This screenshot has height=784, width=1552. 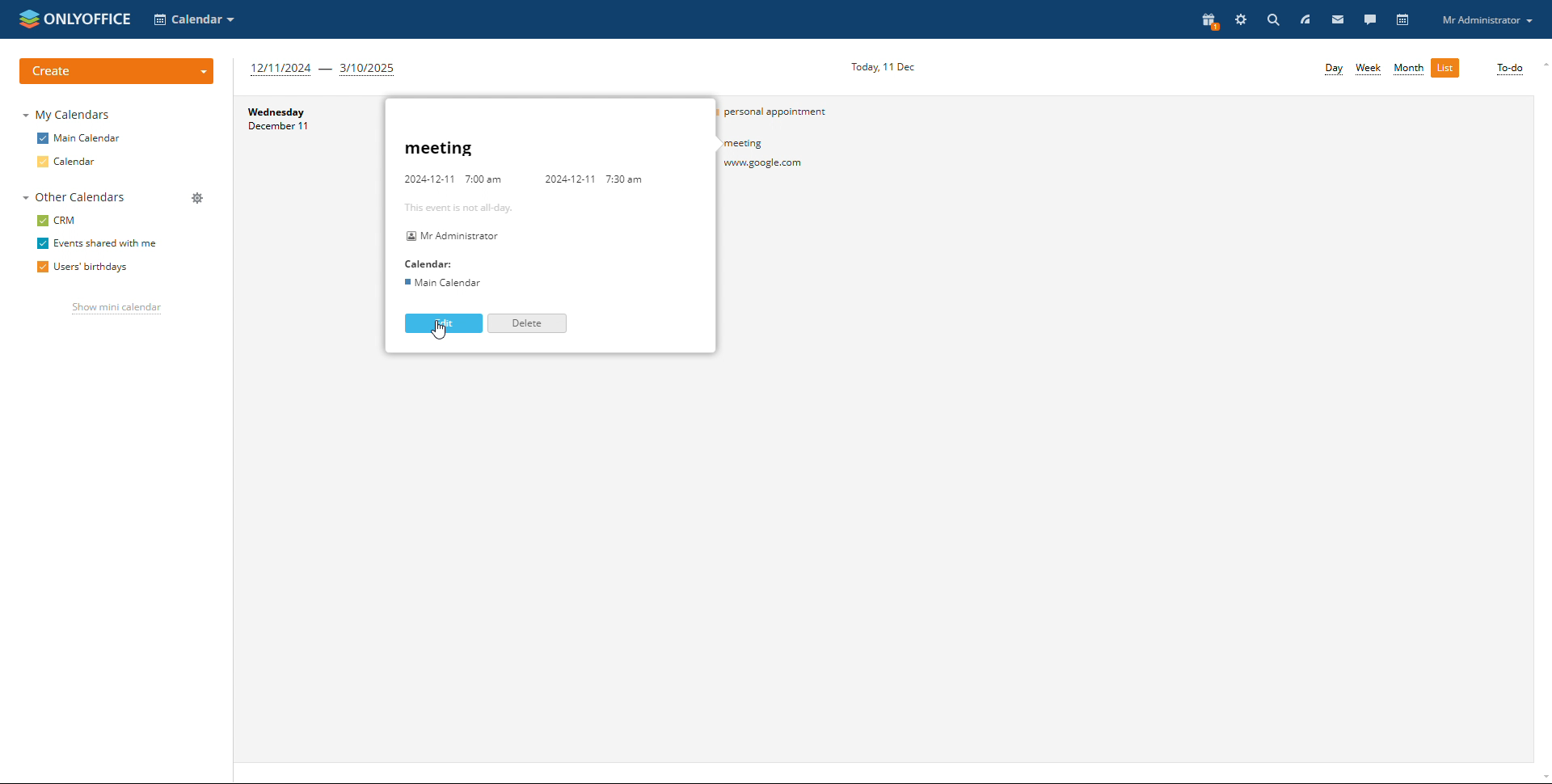 I want to click on edit, so click(x=443, y=323).